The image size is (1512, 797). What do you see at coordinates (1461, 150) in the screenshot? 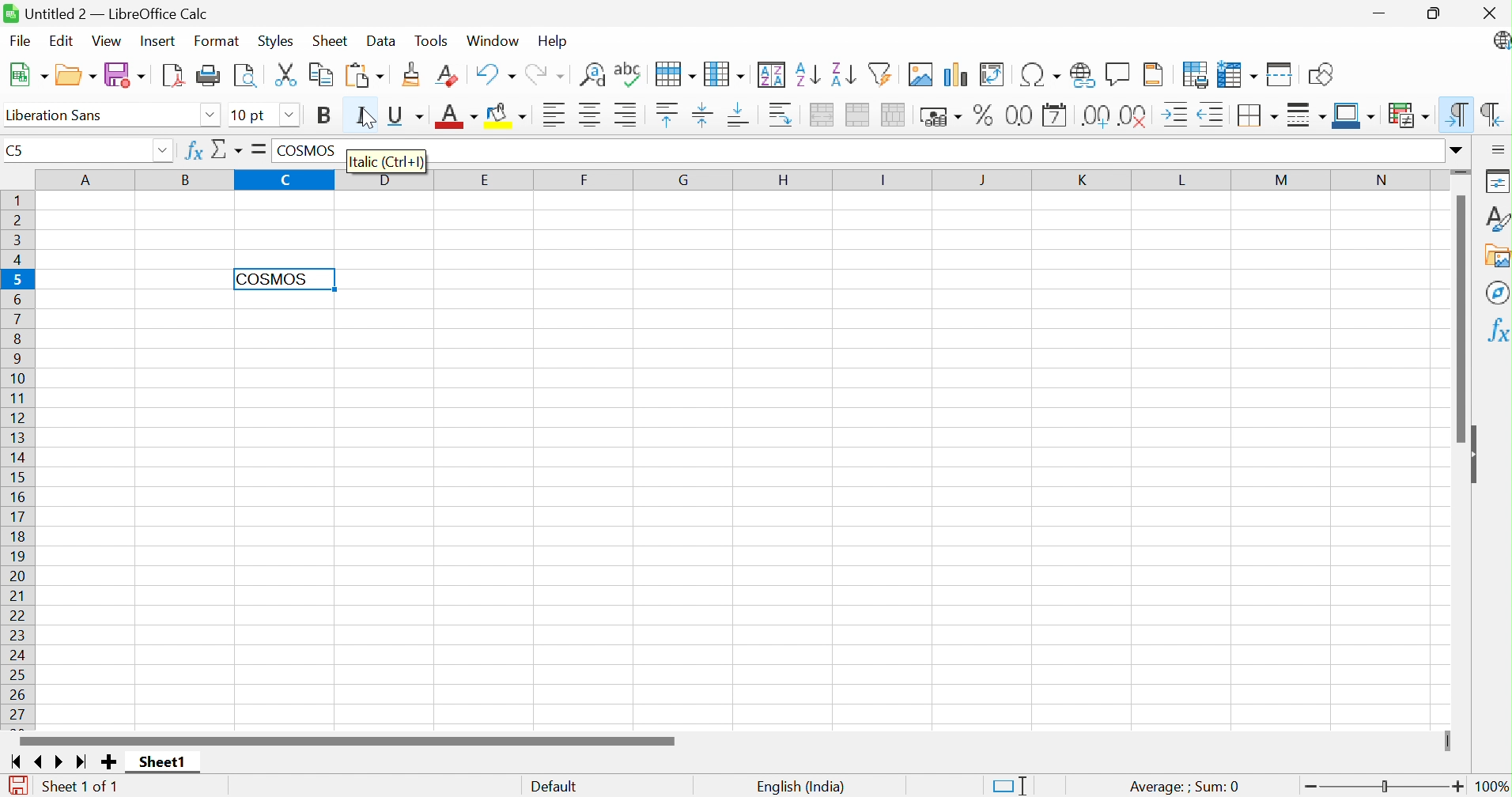
I see `Expand formula bar` at bounding box center [1461, 150].